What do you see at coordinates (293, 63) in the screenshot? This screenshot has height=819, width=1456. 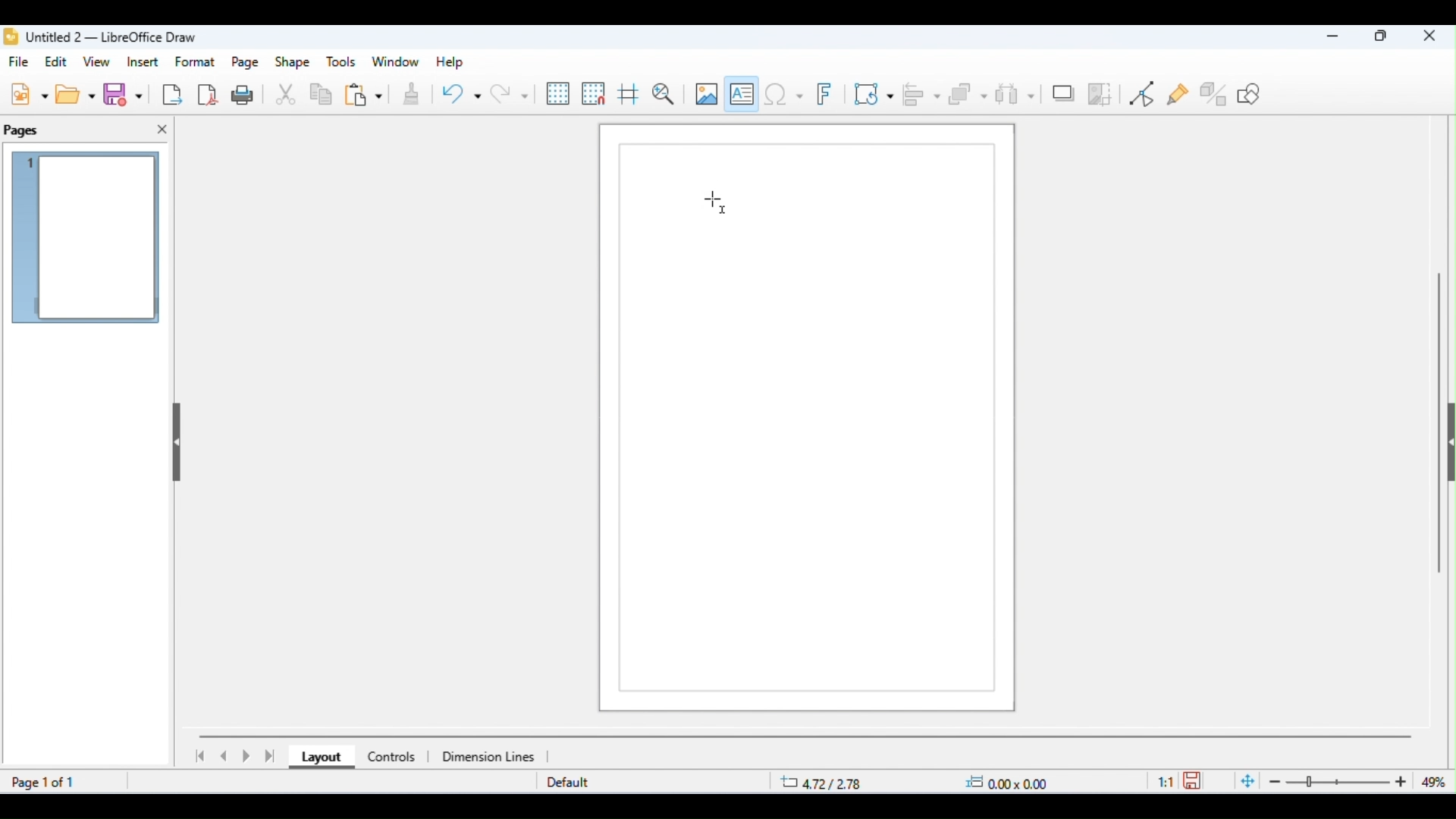 I see `shape` at bounding box center [293, 63].